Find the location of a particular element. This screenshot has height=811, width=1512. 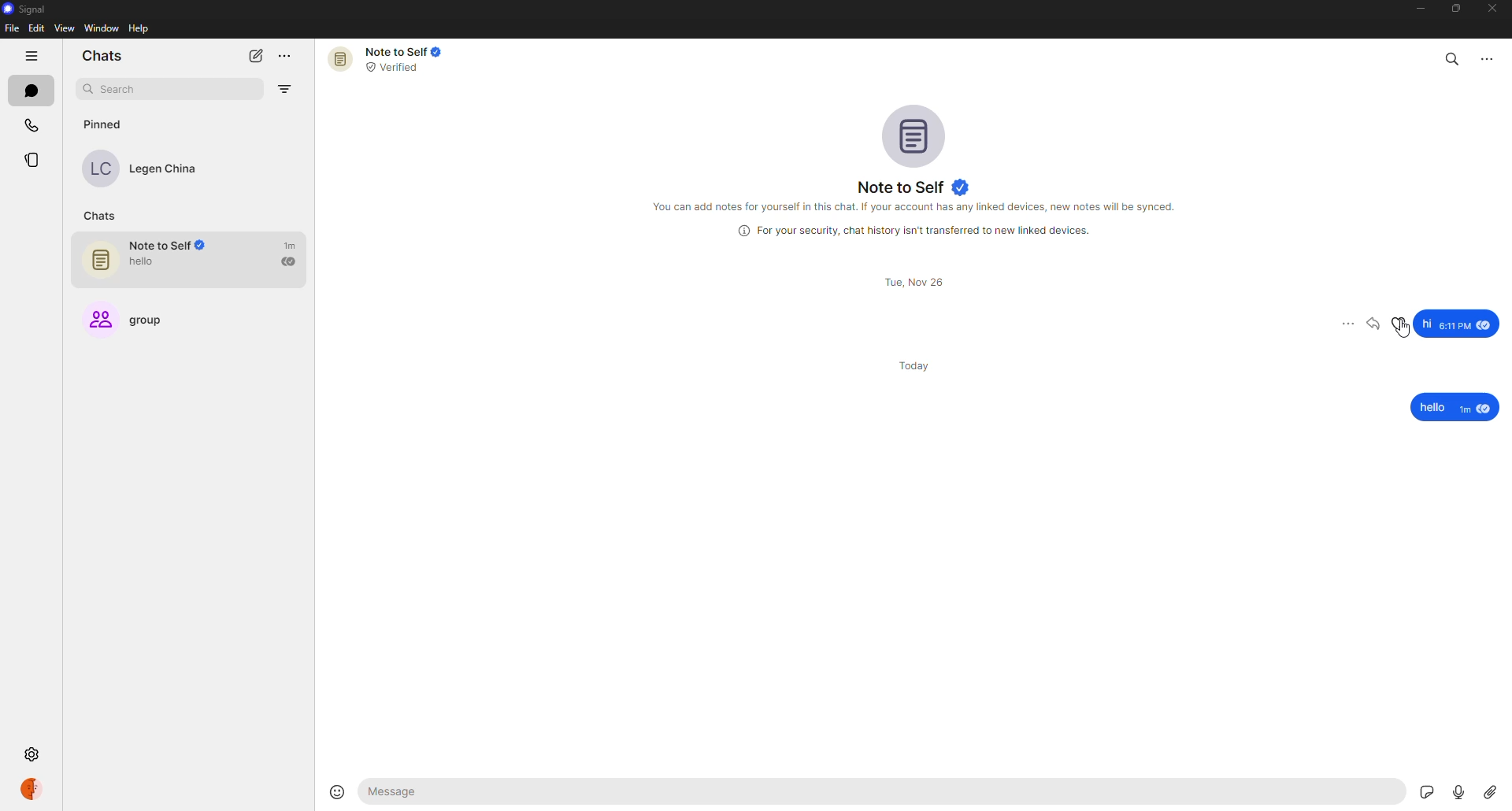

close is located at coordinates (1494, 10).